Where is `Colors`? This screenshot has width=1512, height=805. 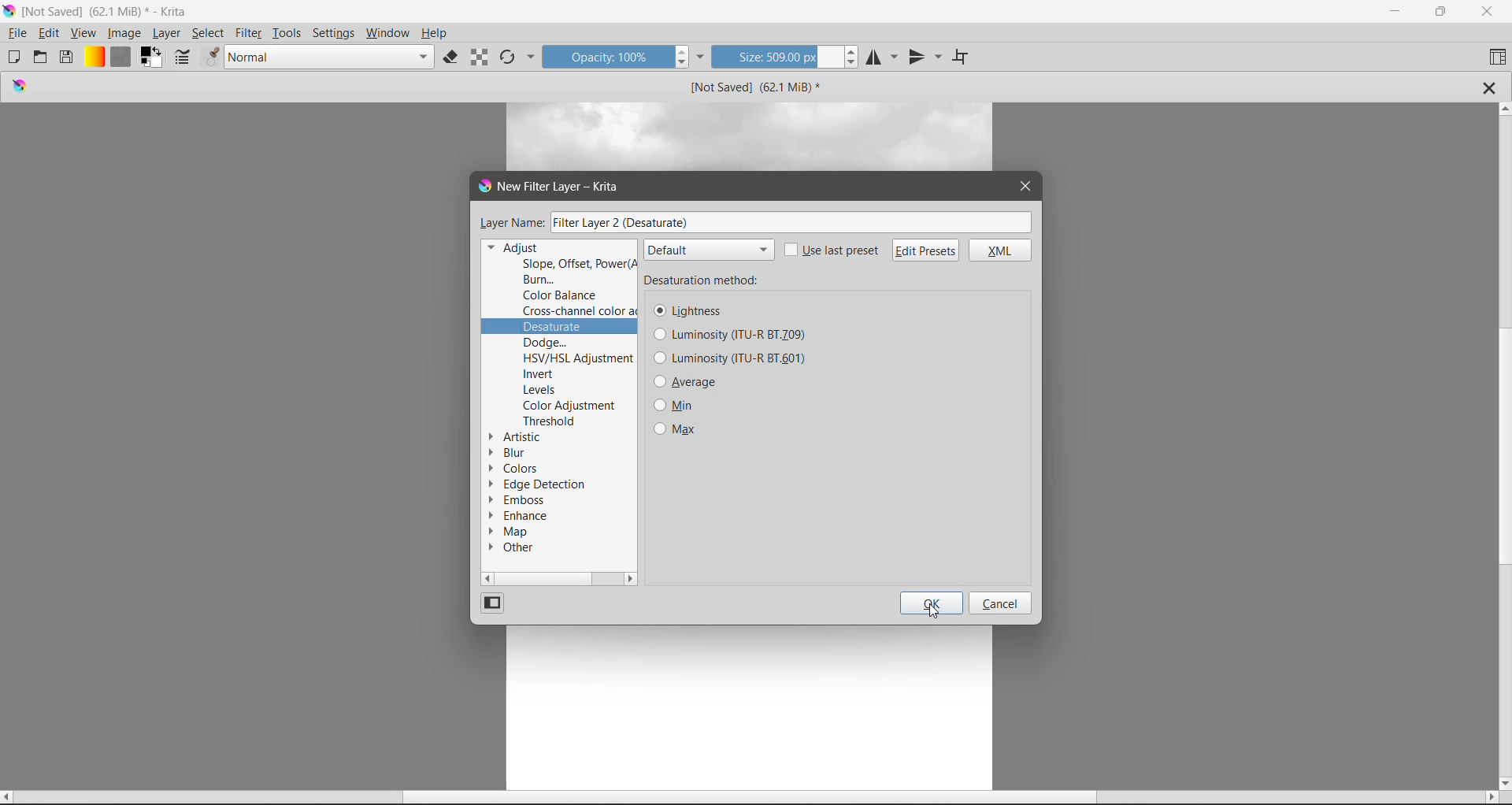
Colors is located at coordinates (513, 468).